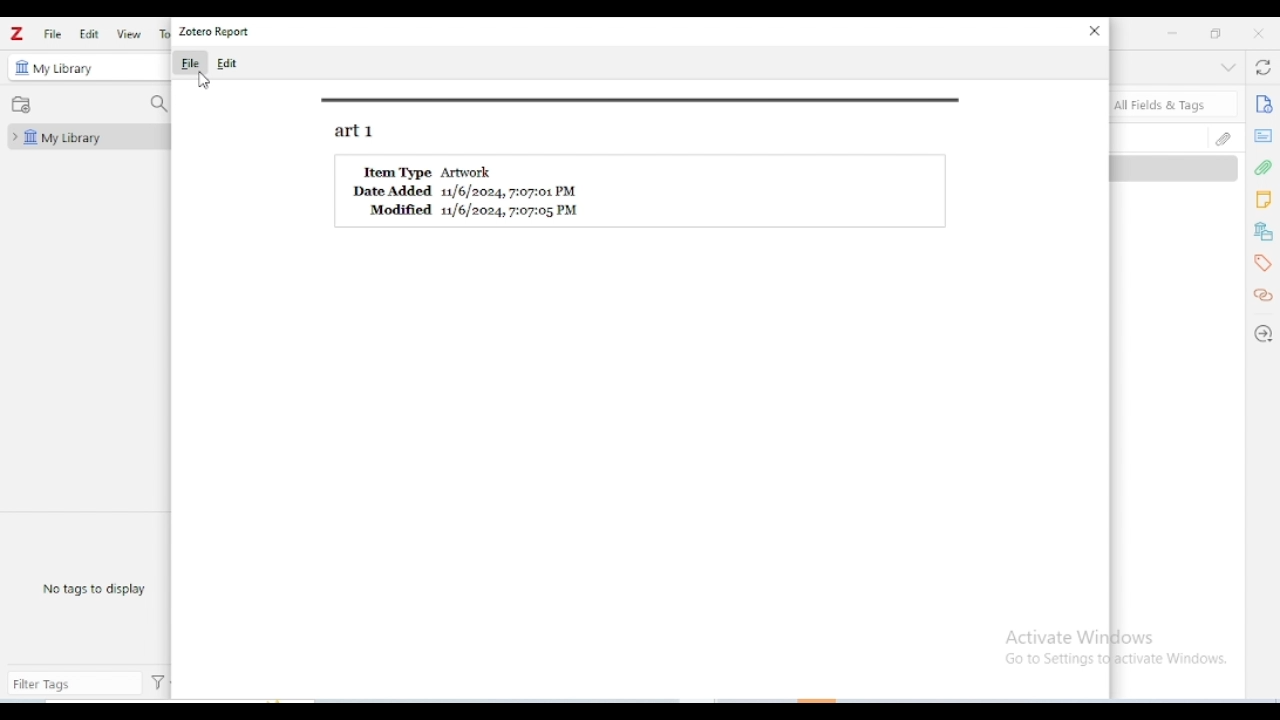  Describe the element at coordinates (1262, 295) in the screenshot. I see `related` at that location.